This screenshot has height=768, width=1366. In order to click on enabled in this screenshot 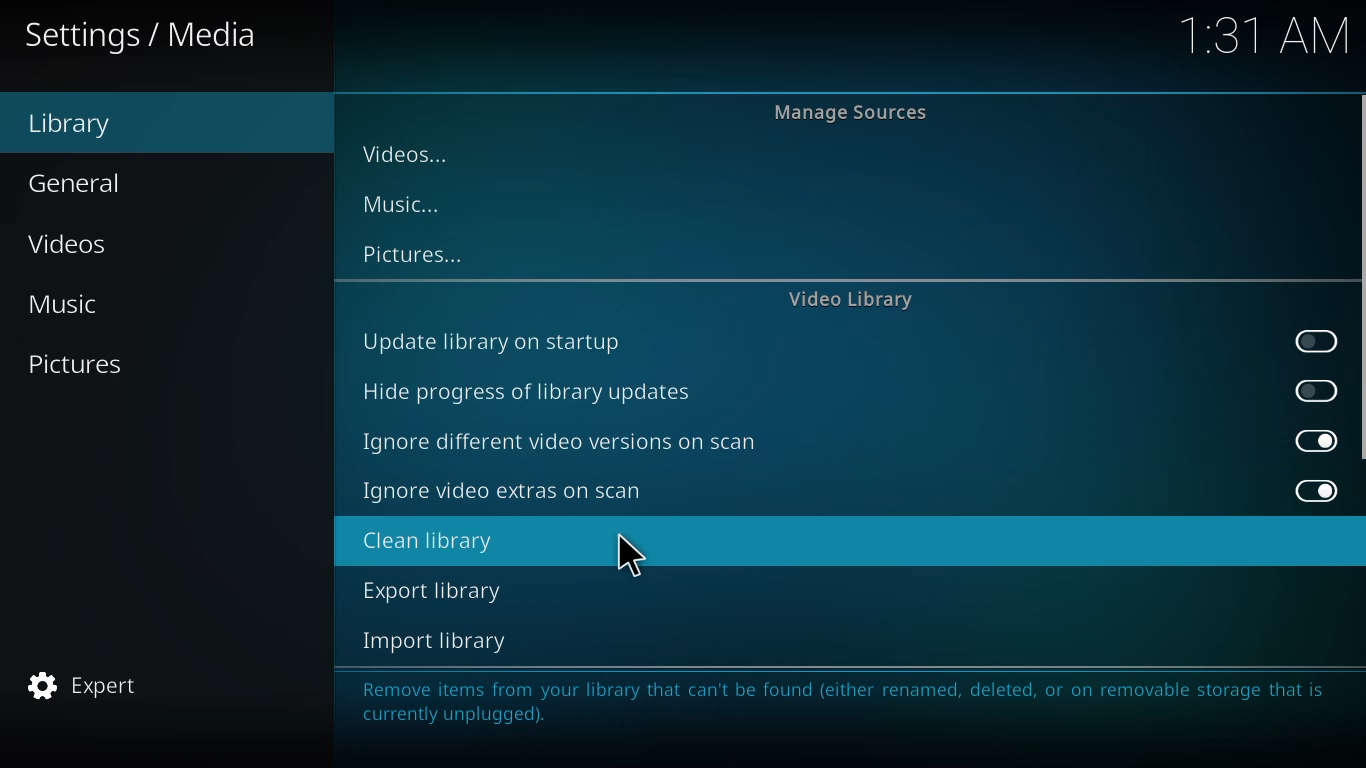, I will do `click(1317, 492)`.